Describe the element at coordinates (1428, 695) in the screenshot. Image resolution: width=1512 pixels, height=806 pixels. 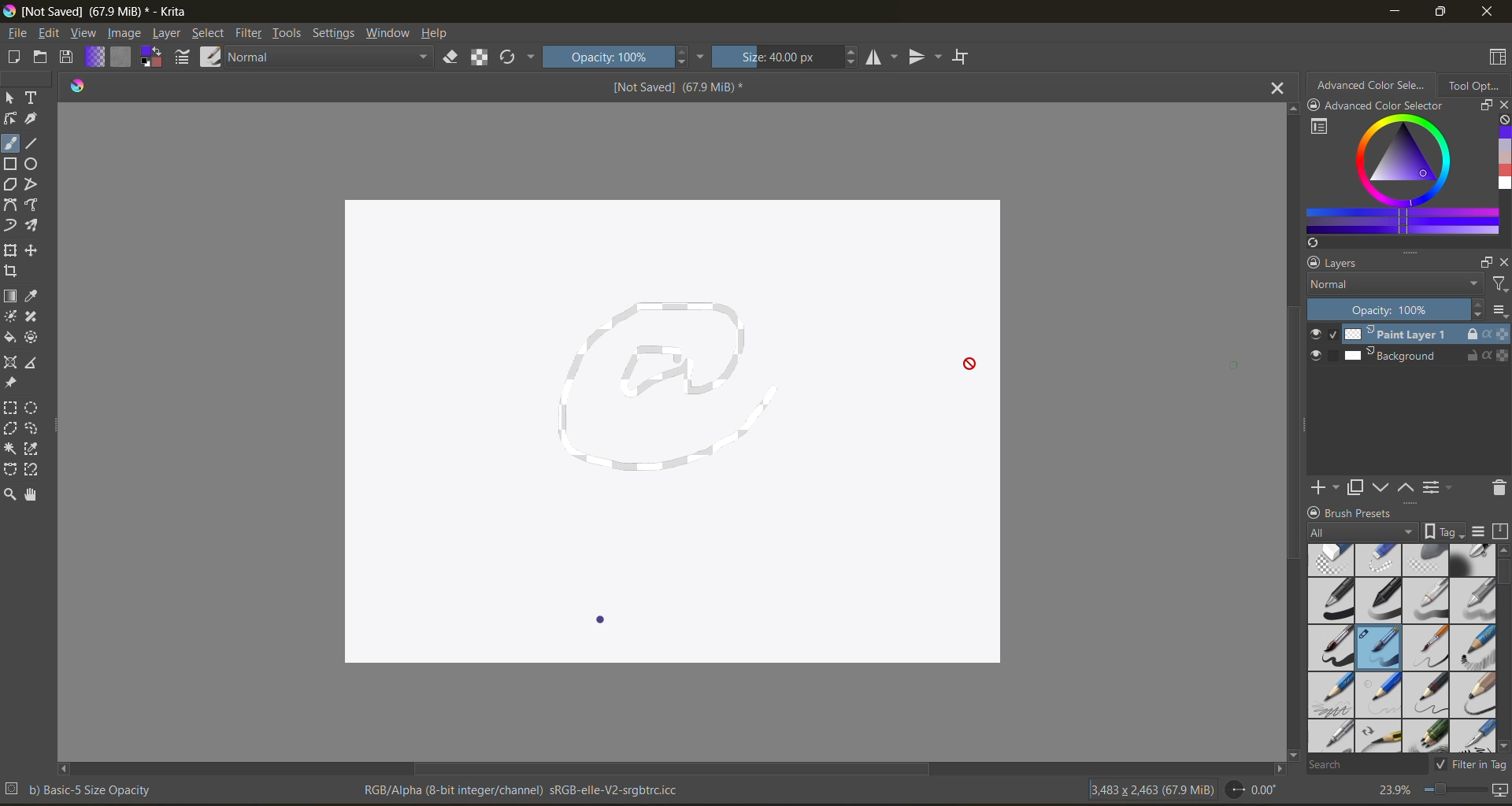
I see `pencil` at that location.